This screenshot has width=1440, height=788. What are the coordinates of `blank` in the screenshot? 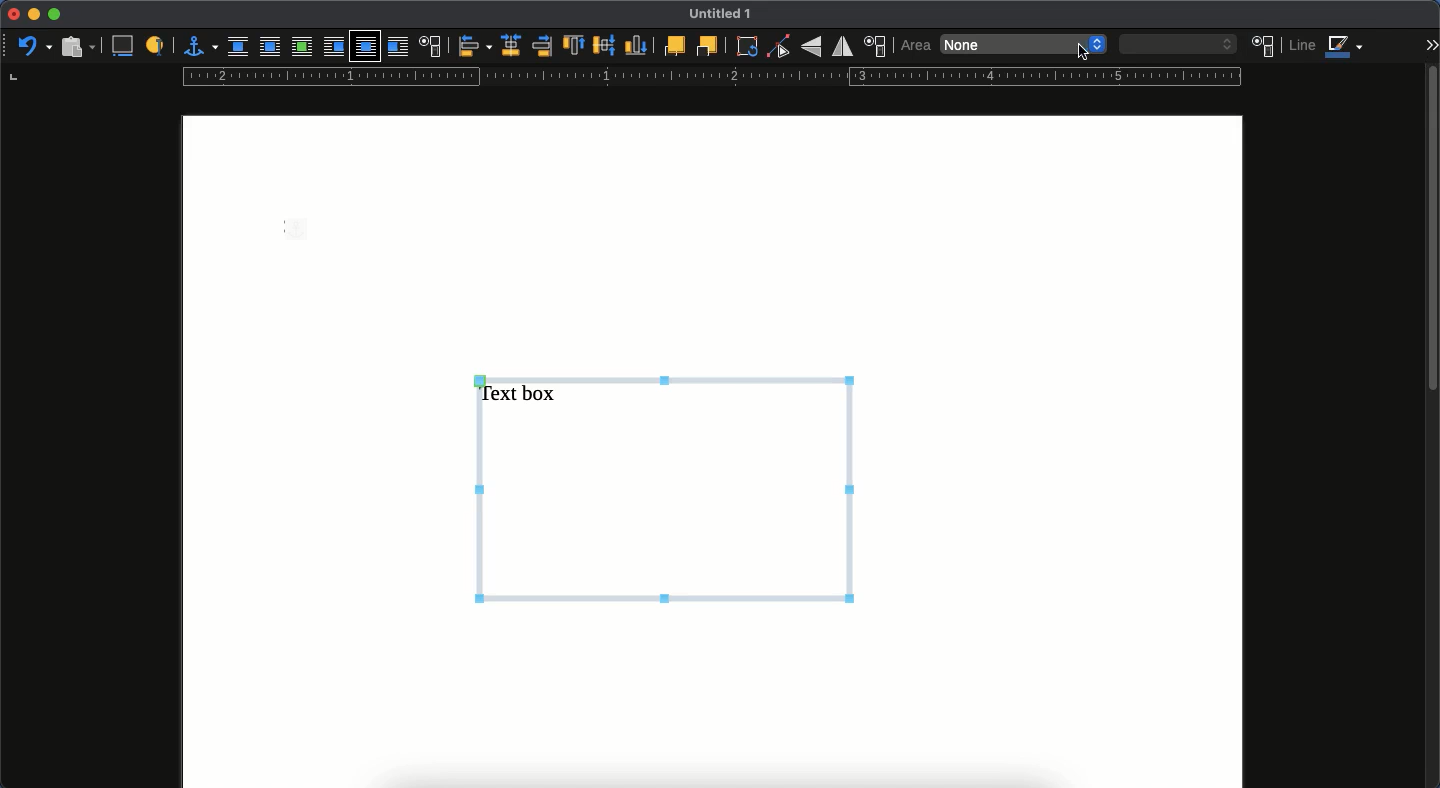 It's located at (1177, 43).